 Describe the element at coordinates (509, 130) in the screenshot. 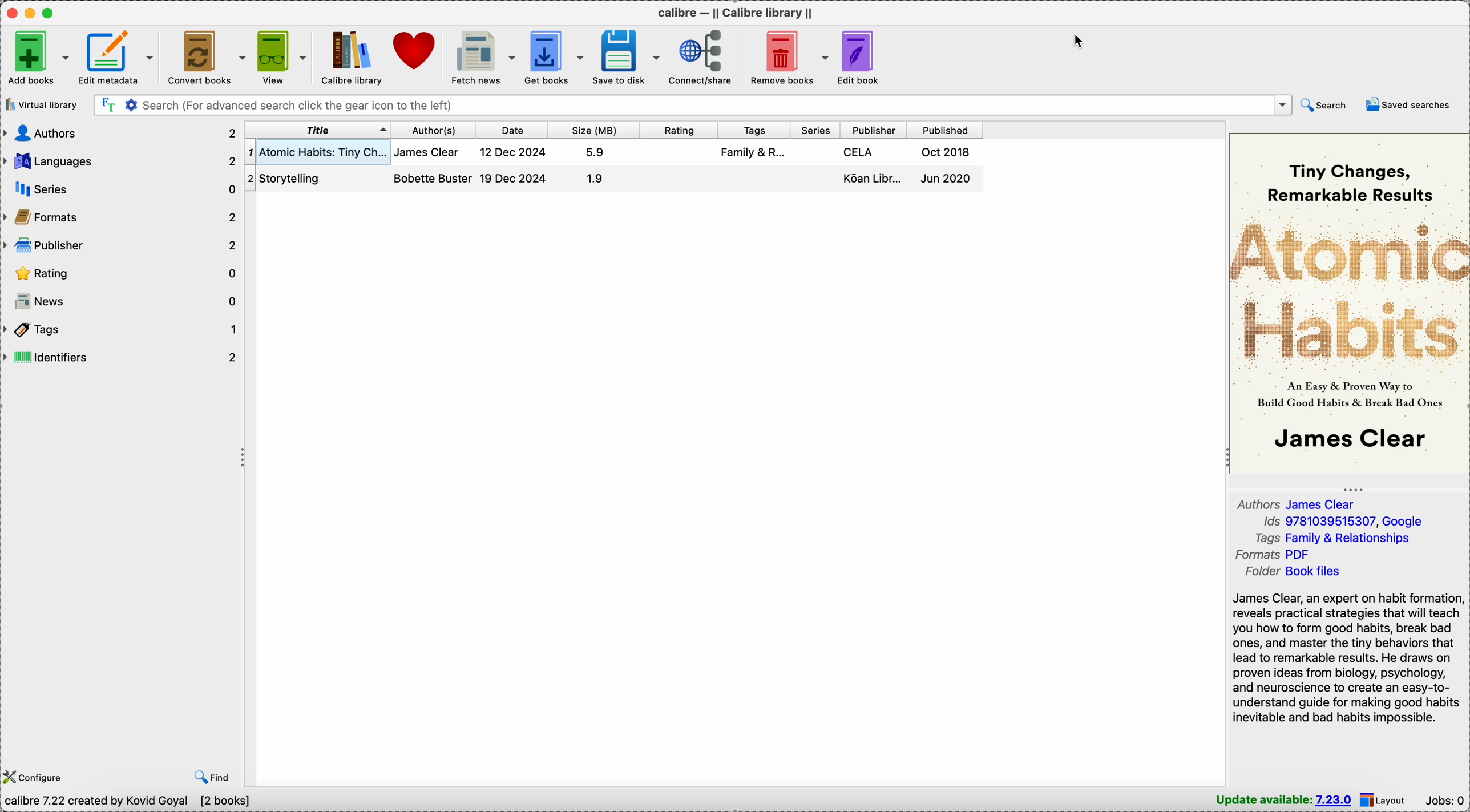

I see `date` at that location.